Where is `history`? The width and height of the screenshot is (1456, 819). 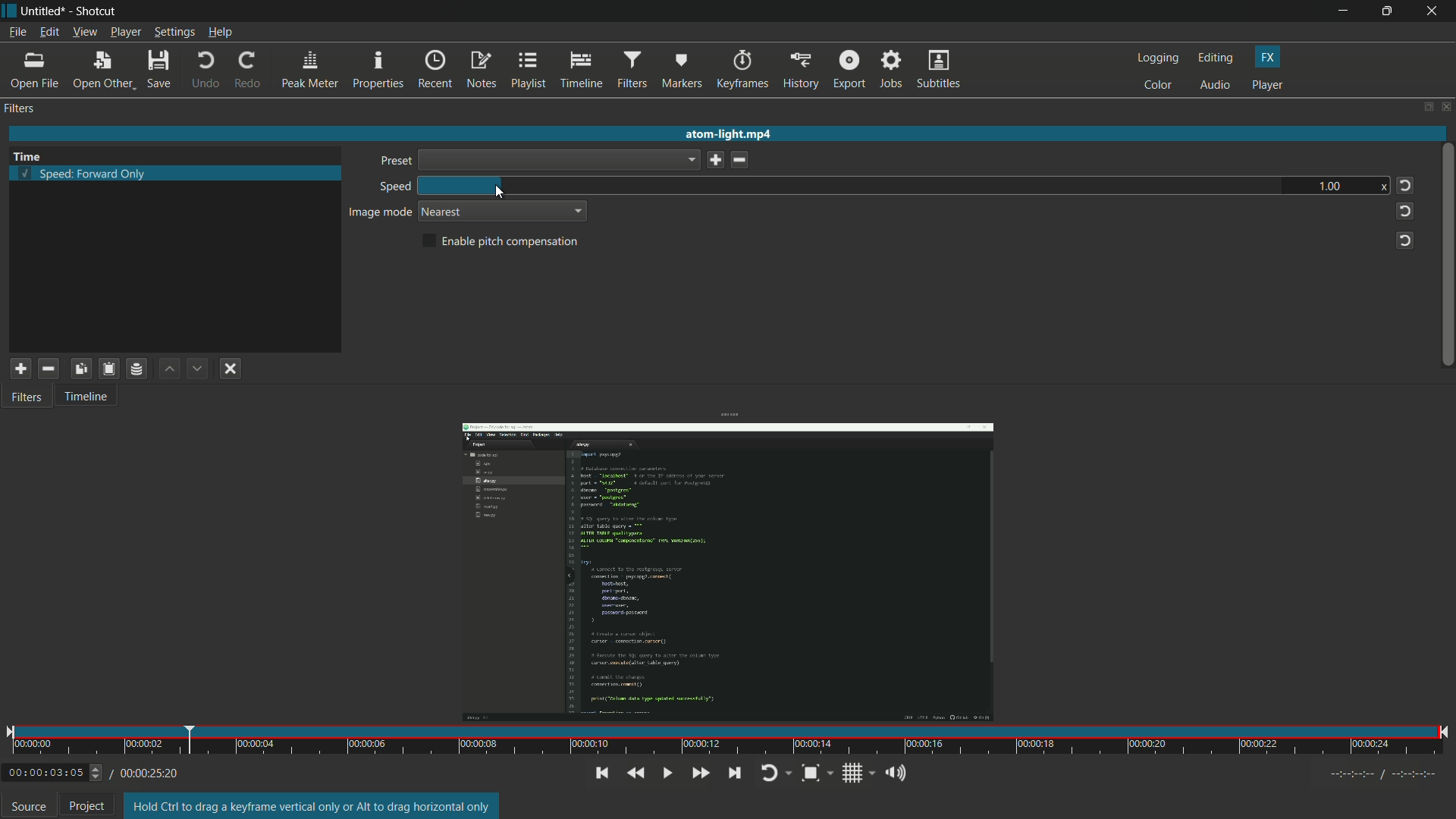 history is located at coordinates (800, 71).